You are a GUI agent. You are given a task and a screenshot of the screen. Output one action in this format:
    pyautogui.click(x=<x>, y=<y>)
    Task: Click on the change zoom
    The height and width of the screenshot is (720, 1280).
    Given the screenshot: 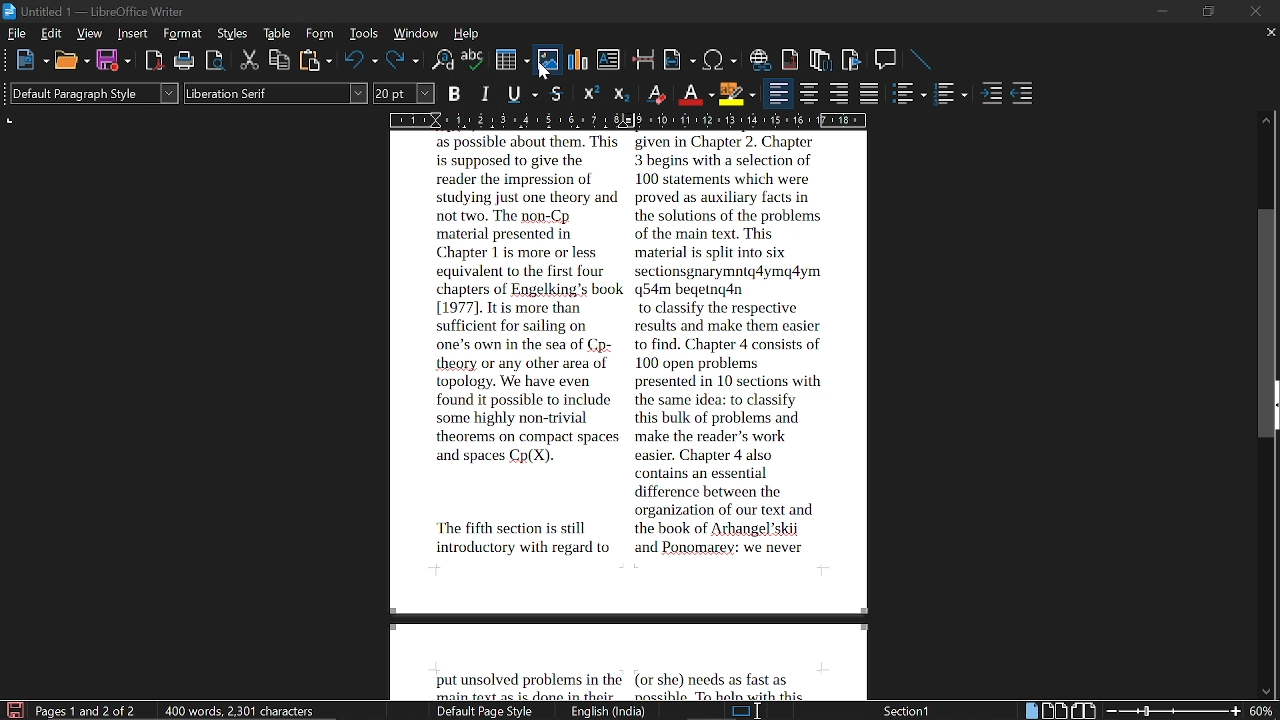 What is the action you would take?
    pyautogui.click(x=1174, y=711)
    